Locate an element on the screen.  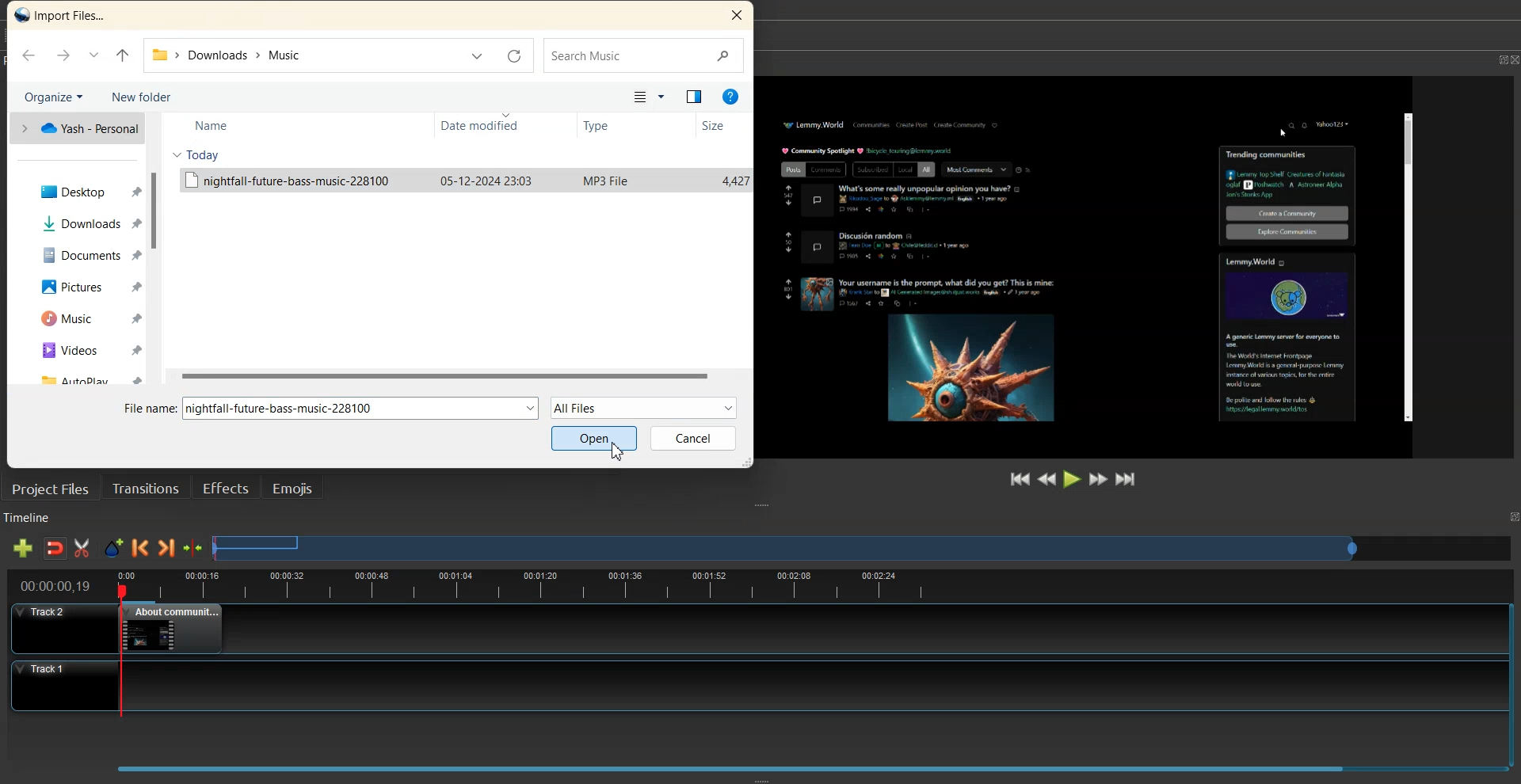
Up to Last file is located at coordinates (123, 56).